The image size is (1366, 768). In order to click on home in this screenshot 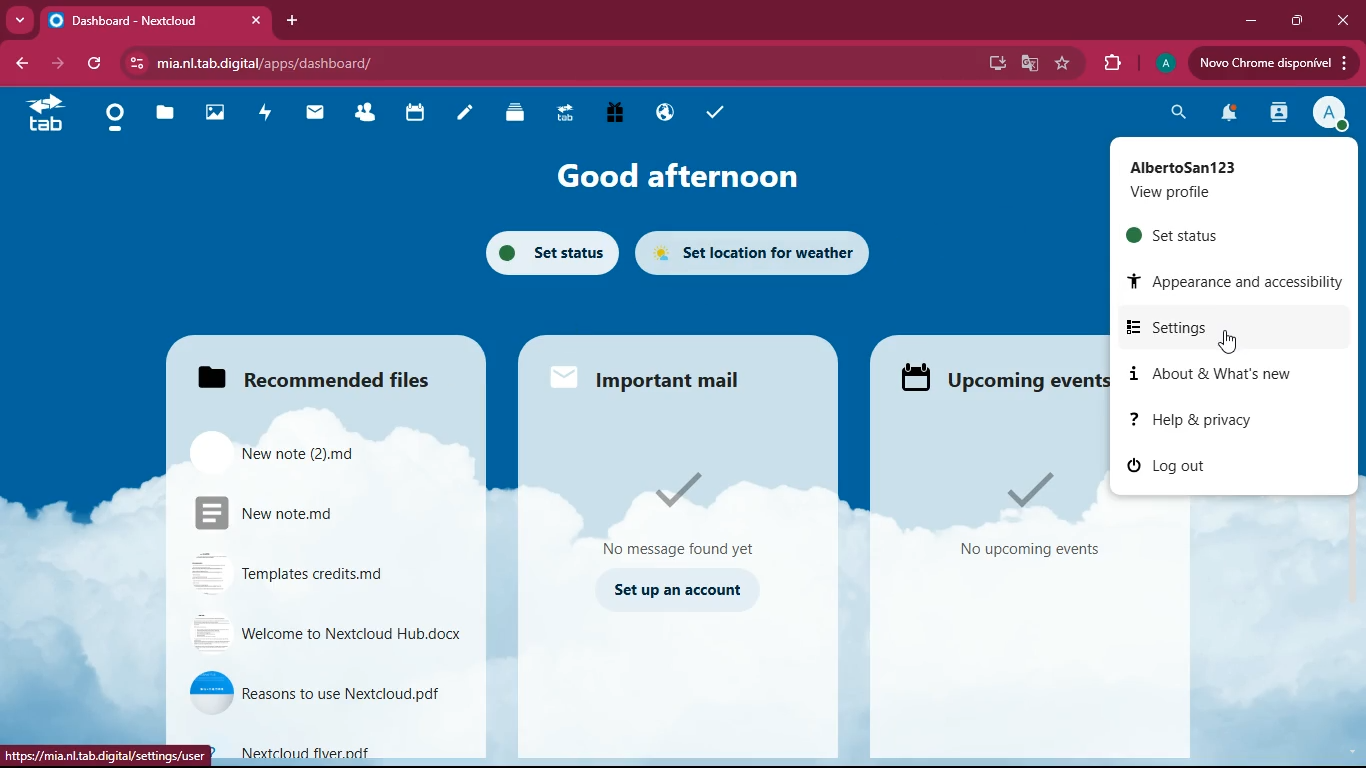, I will do `click(114, 117)`.